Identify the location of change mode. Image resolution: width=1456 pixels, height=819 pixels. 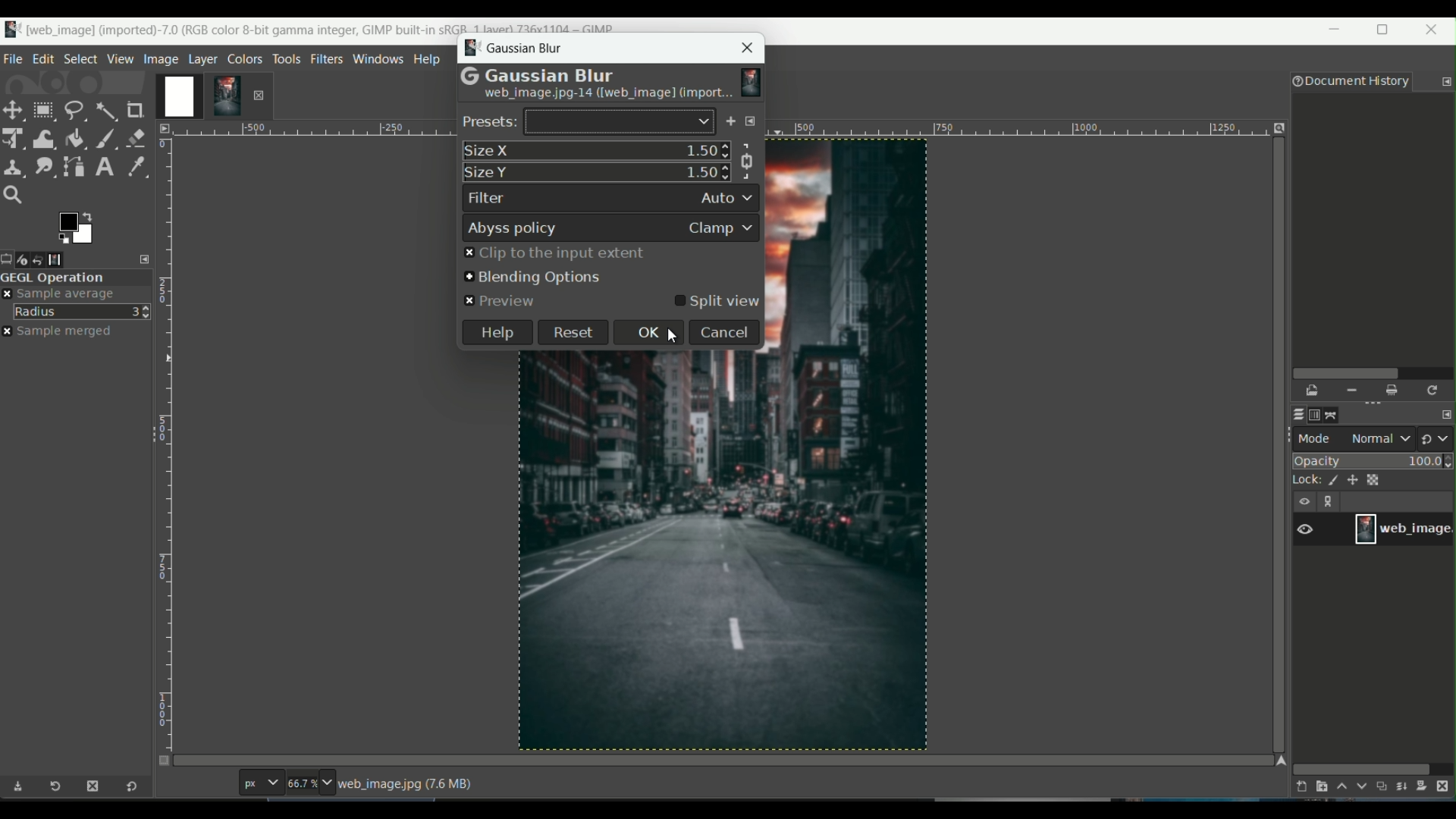
(1437, 438).